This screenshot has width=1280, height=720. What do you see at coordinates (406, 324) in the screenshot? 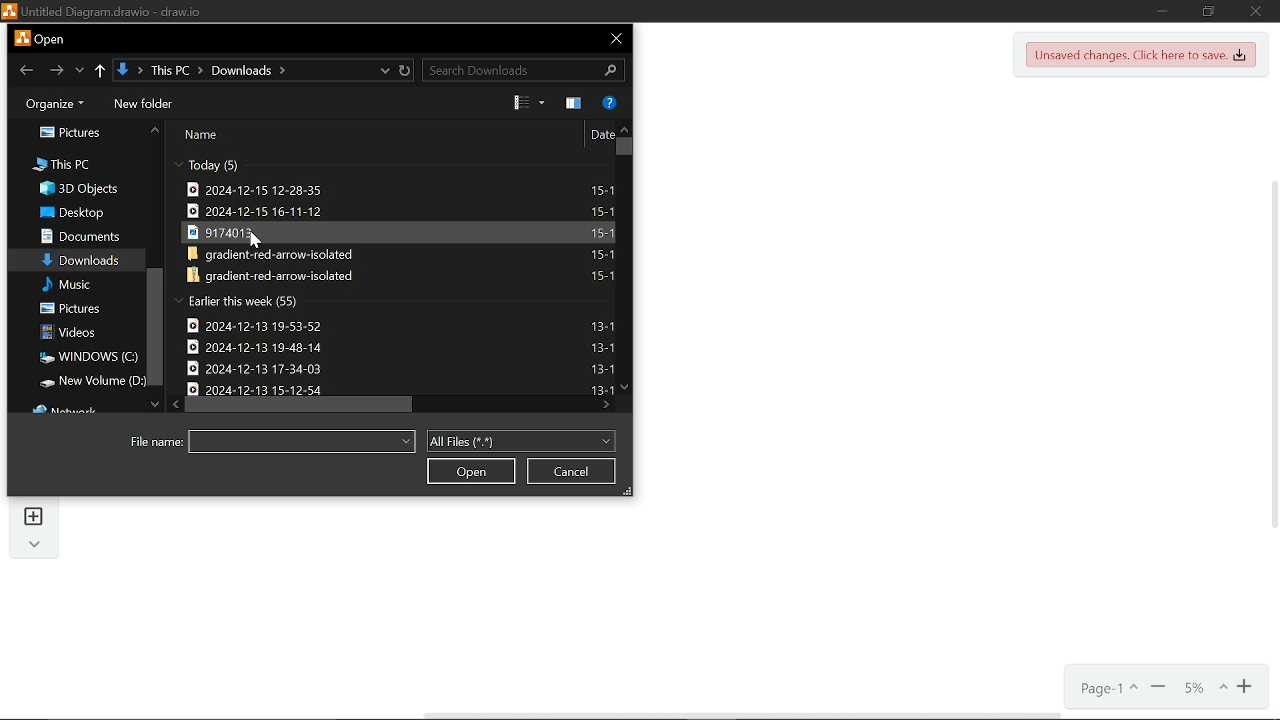
I see `file titled "2024-12-13 19-53-52"` at bounding box center [406, 324].